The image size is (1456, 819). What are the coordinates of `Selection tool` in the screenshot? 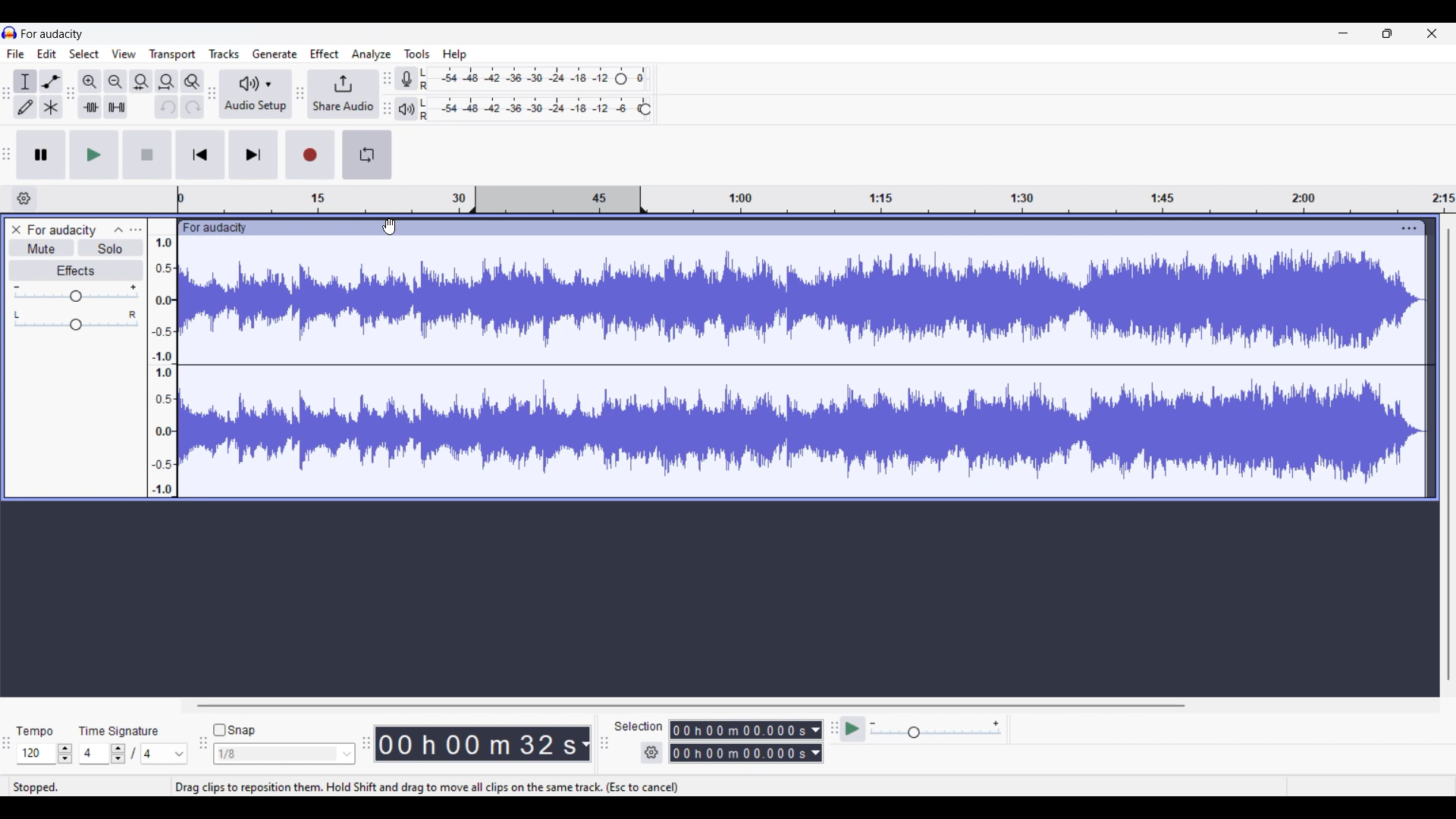 It's located at (26, 81).